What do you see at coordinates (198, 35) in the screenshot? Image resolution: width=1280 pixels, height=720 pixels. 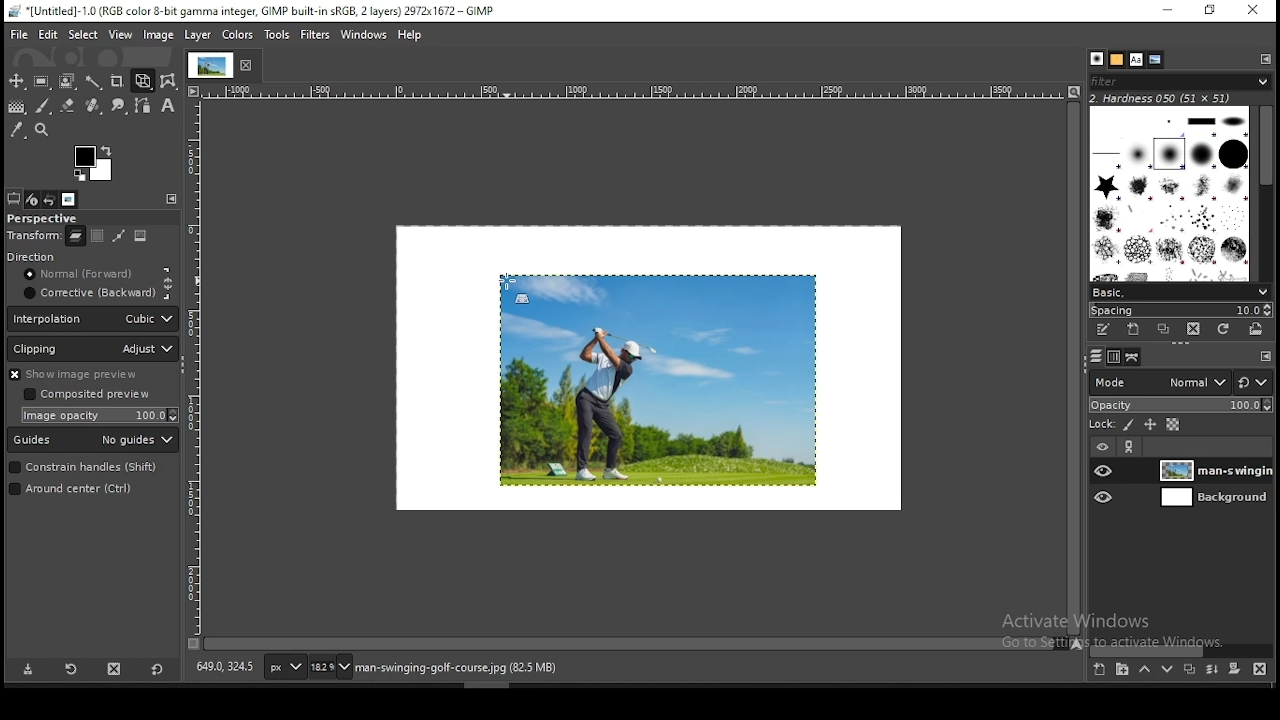 I see `layer` at bounding box center [198, 35].